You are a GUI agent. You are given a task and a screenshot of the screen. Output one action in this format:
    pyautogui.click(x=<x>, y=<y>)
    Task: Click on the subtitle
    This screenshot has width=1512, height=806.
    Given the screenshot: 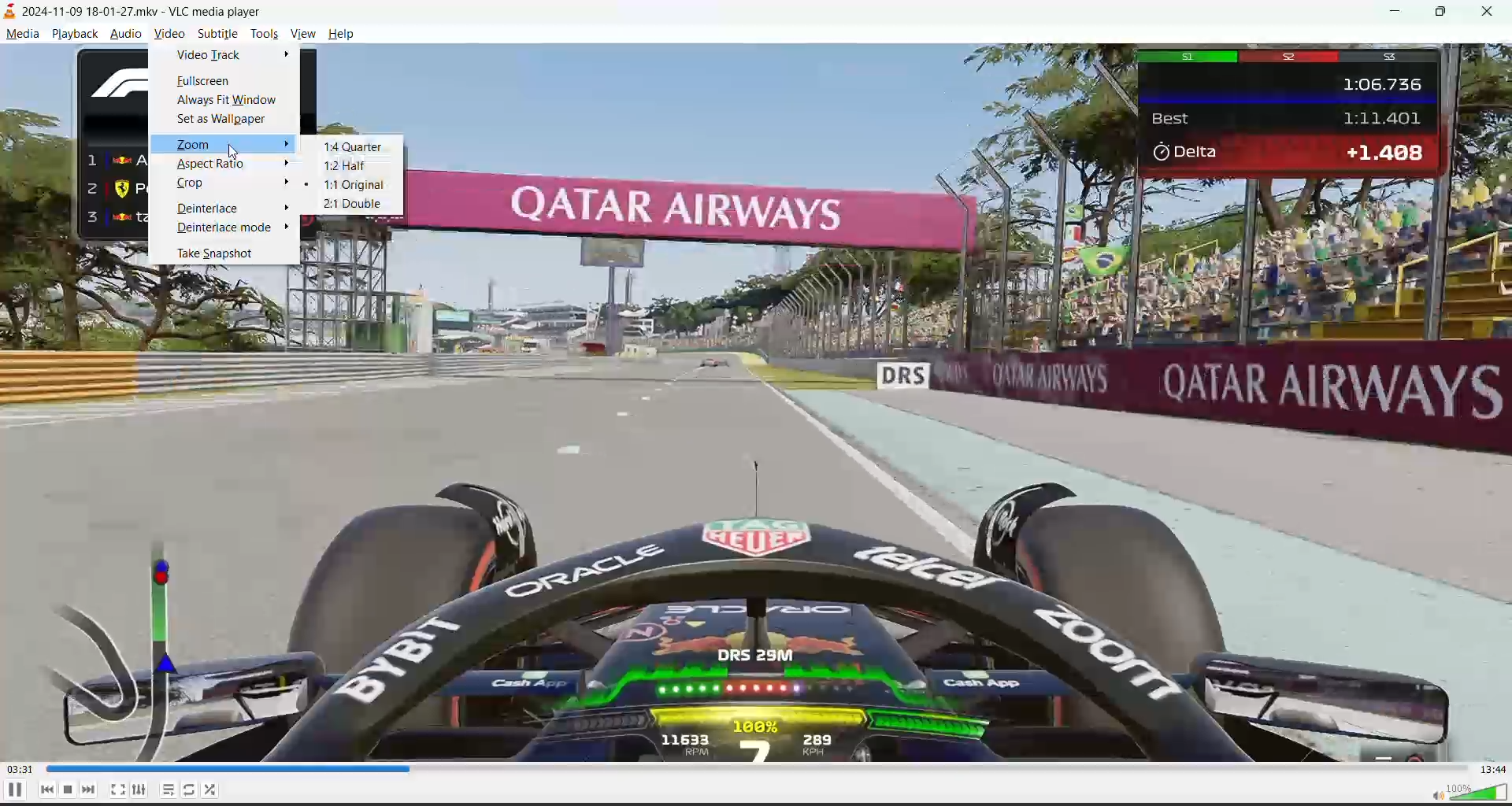 What is the action you would take?
    pyautogui.click(x=213, y=33)
    